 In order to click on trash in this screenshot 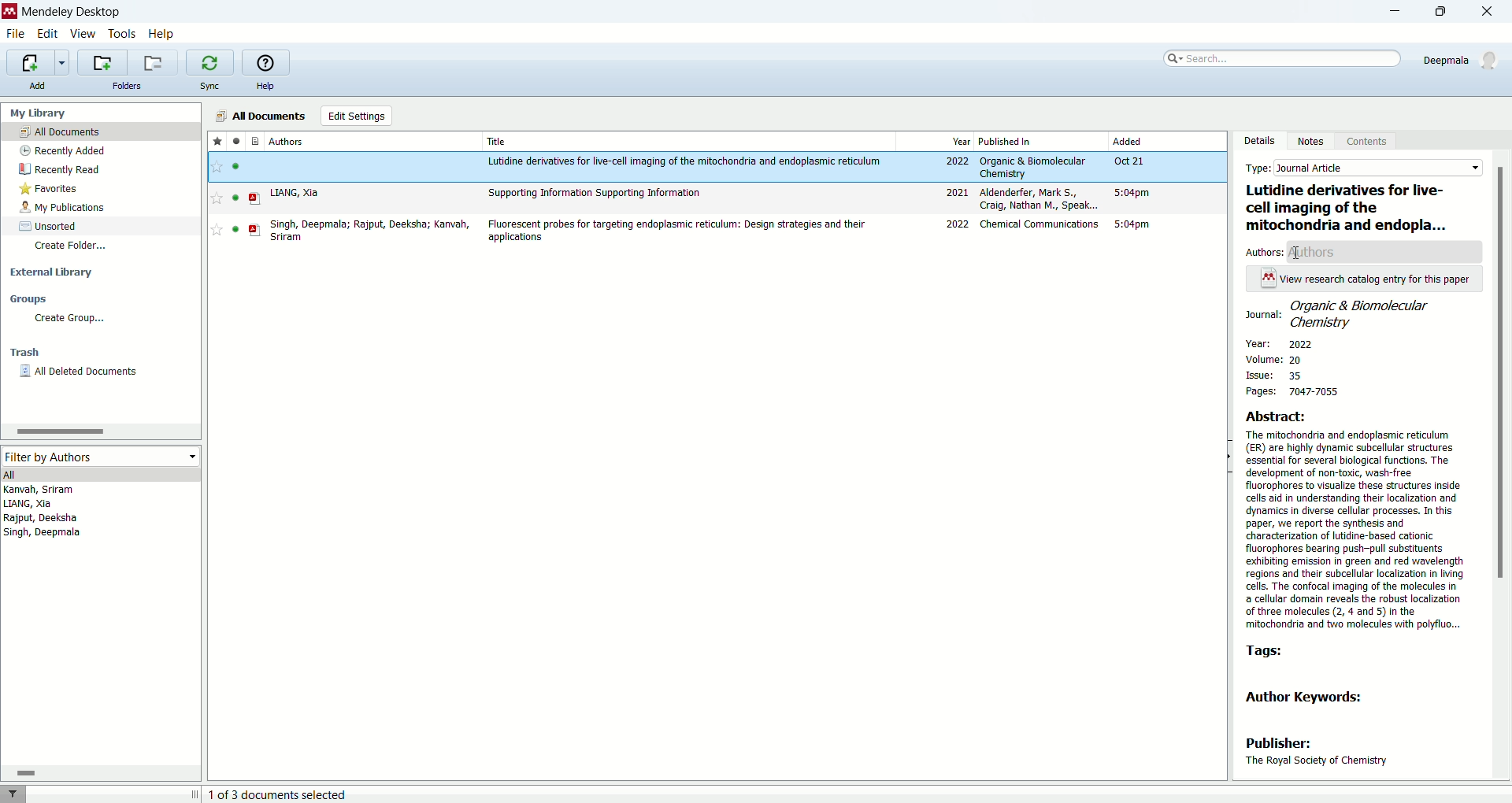, I will do `click(25, 350)`.